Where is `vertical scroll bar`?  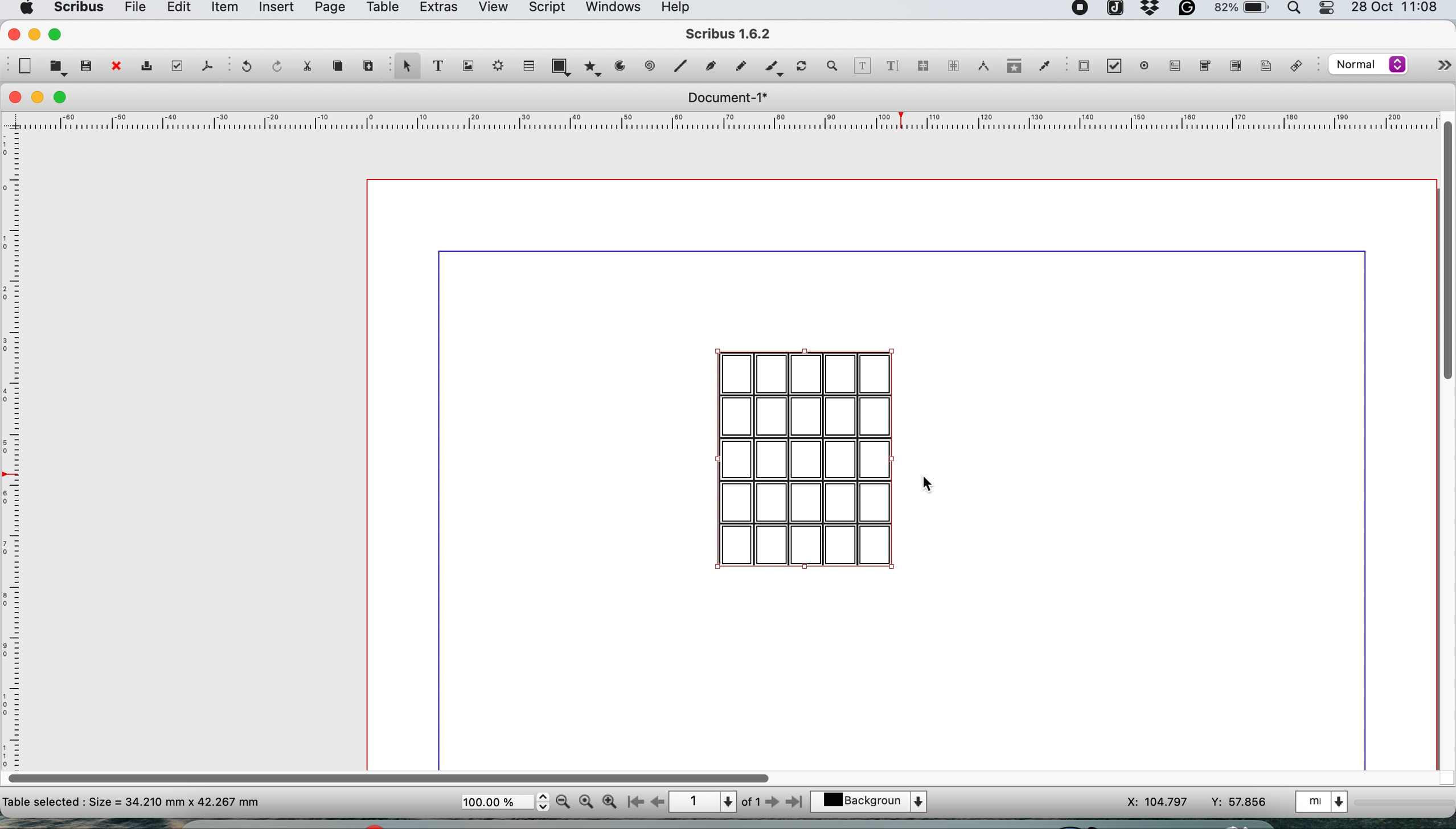
vertical scroll bar is located at coordinates (1446, 248).